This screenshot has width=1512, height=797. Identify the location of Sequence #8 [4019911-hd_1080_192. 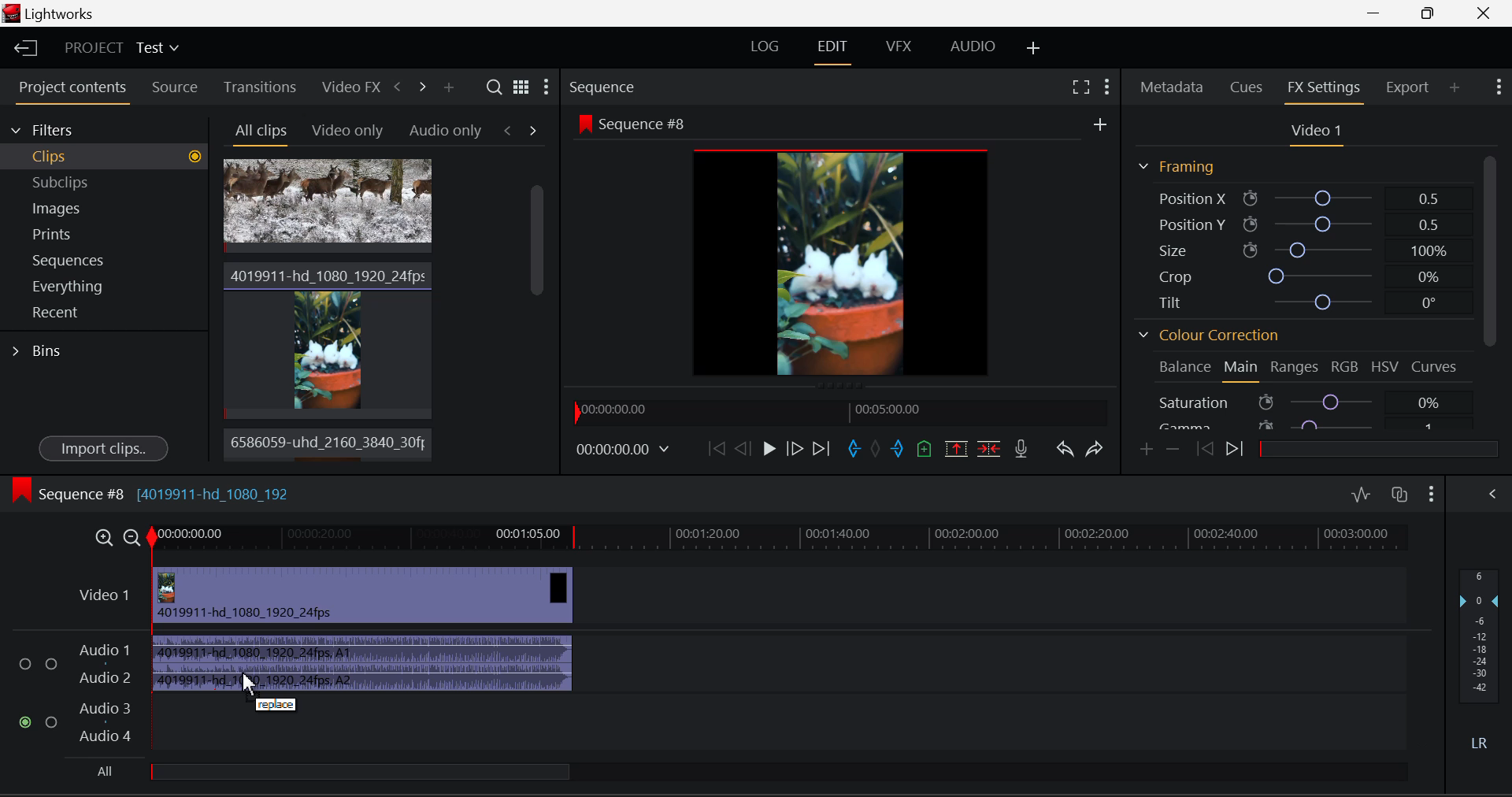
(152, 490).